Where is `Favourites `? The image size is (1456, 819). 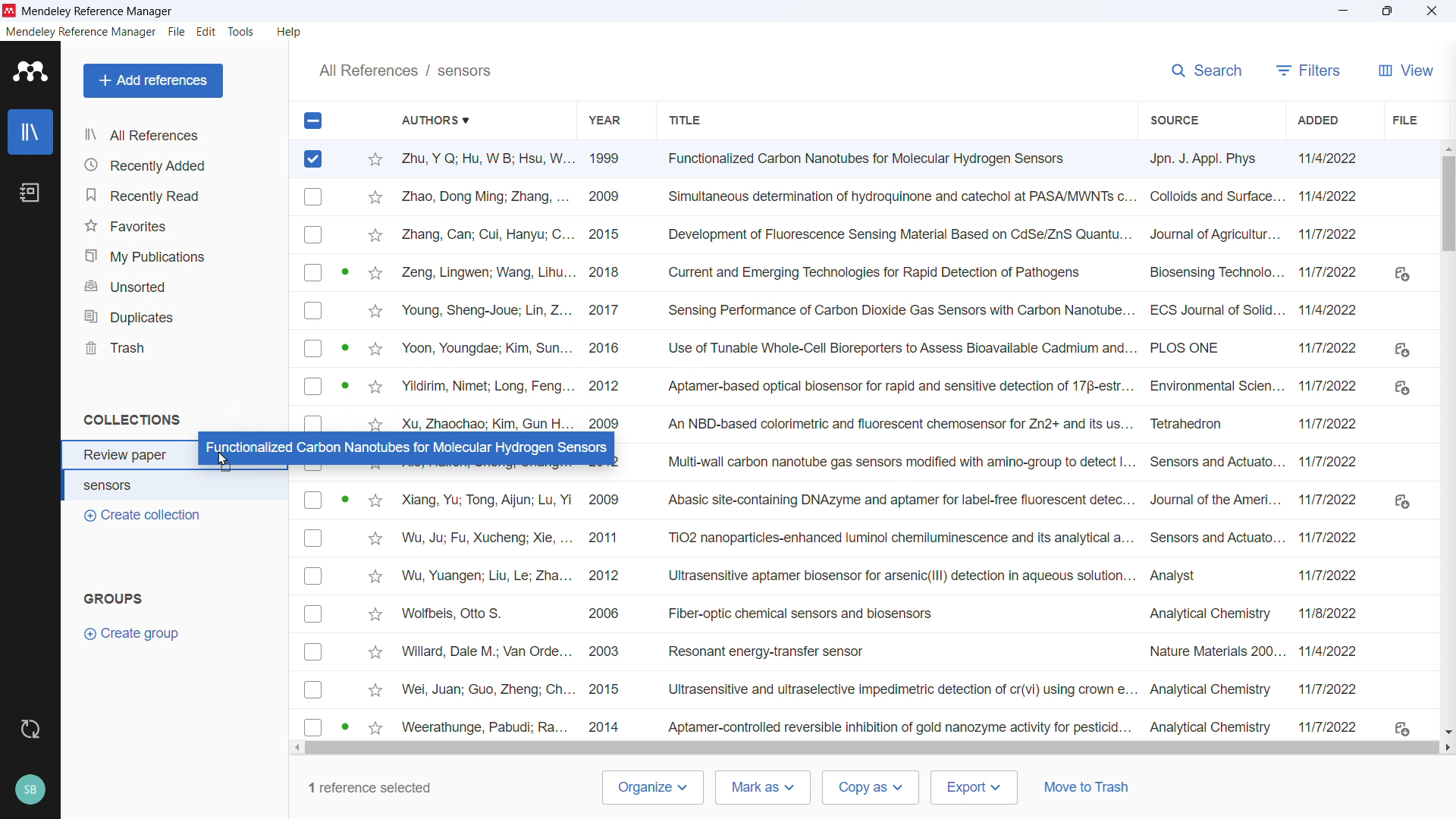 Favourites  is located at coordinates (177, 227).